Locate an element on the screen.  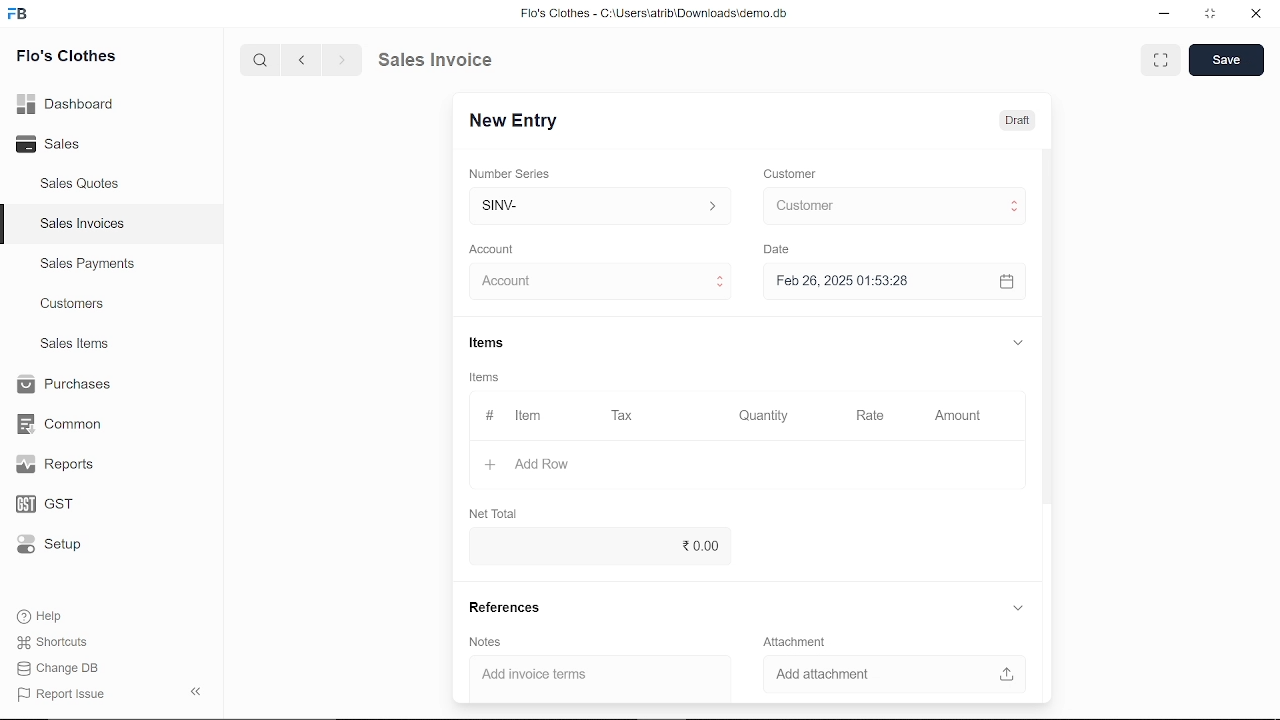
Reports. is located at coordinates (63, 464).